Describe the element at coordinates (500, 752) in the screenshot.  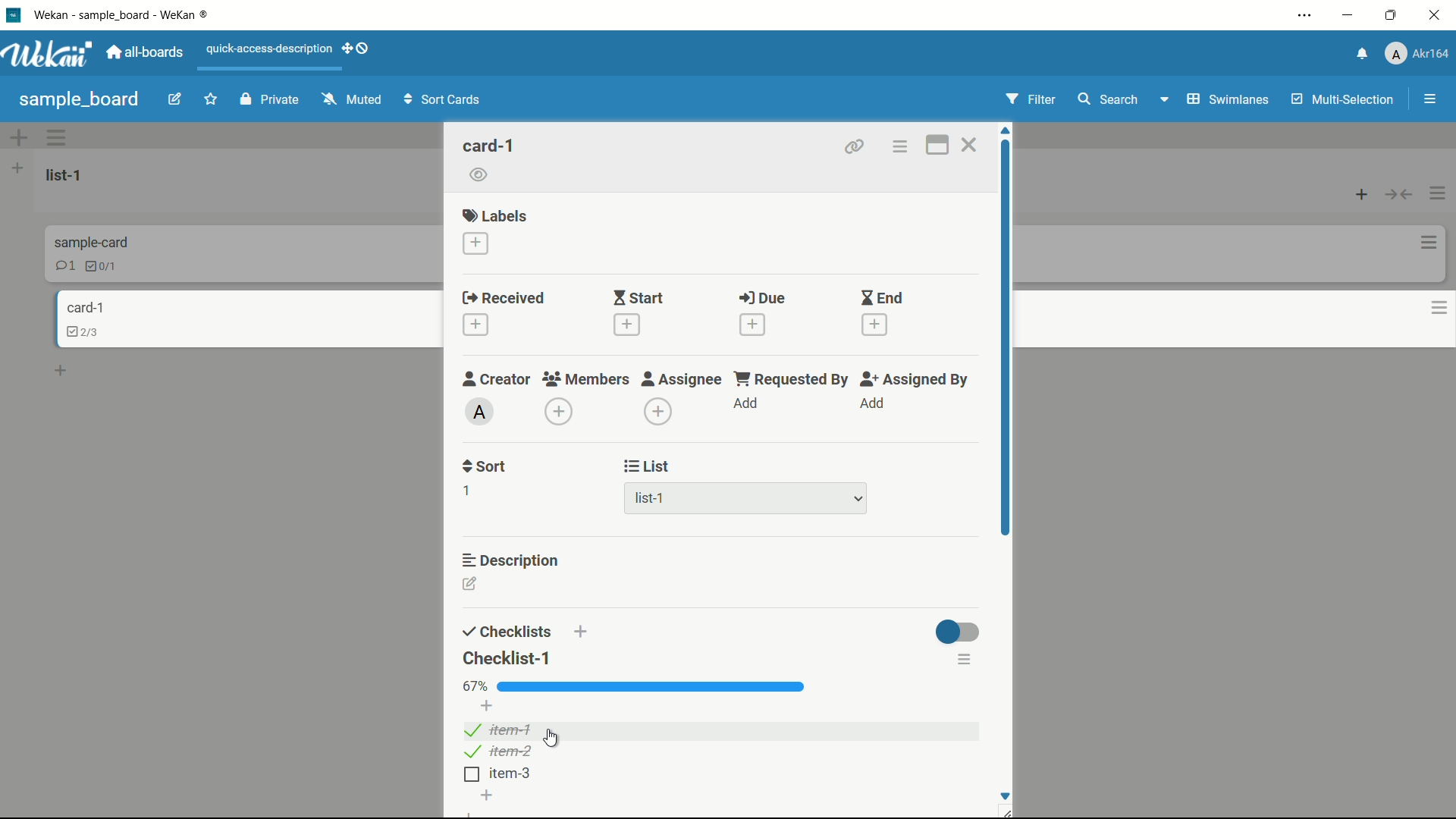
I see `item-2` at that location.